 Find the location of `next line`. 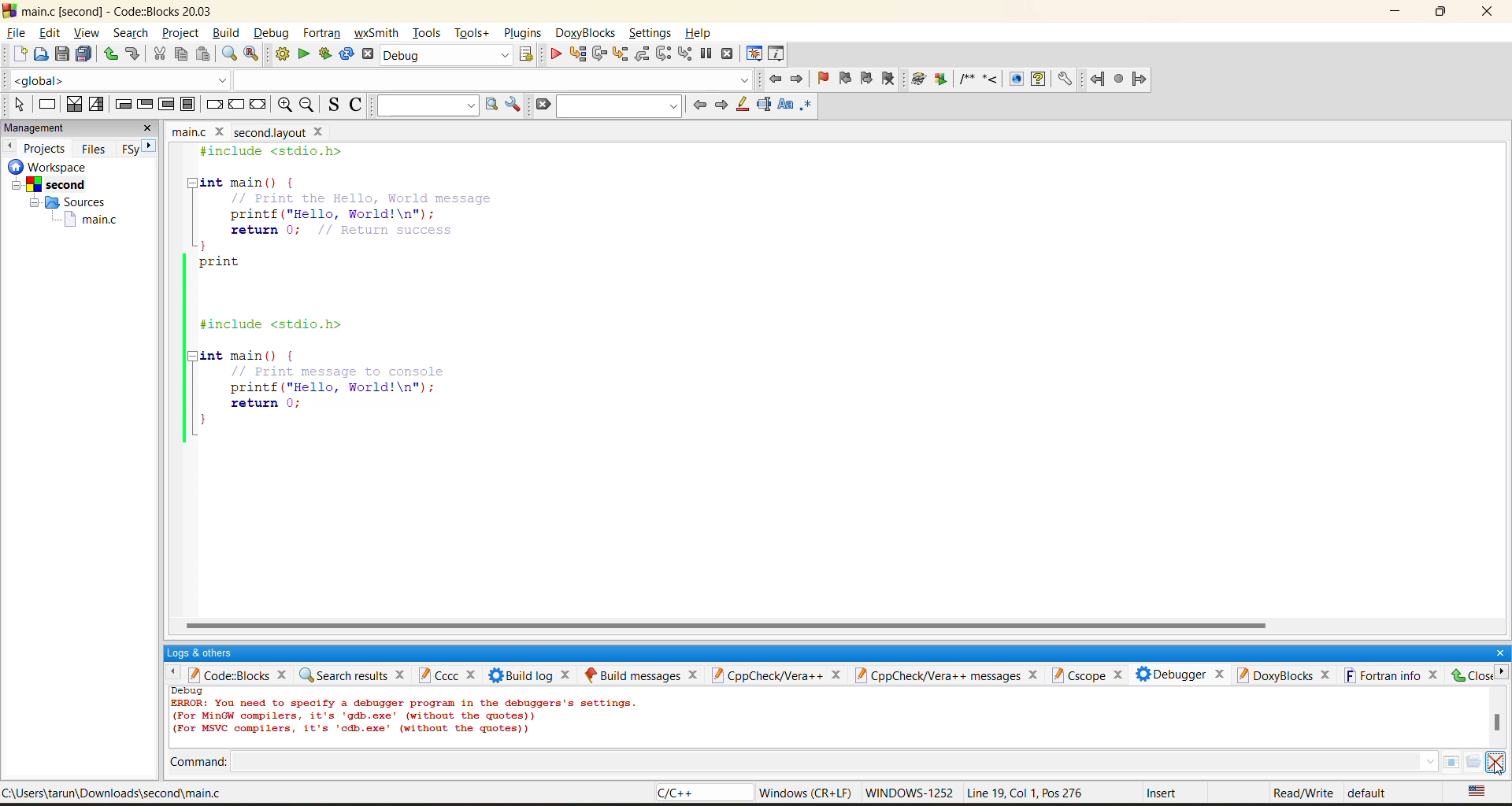

next line is located at coordinates (599, 54).